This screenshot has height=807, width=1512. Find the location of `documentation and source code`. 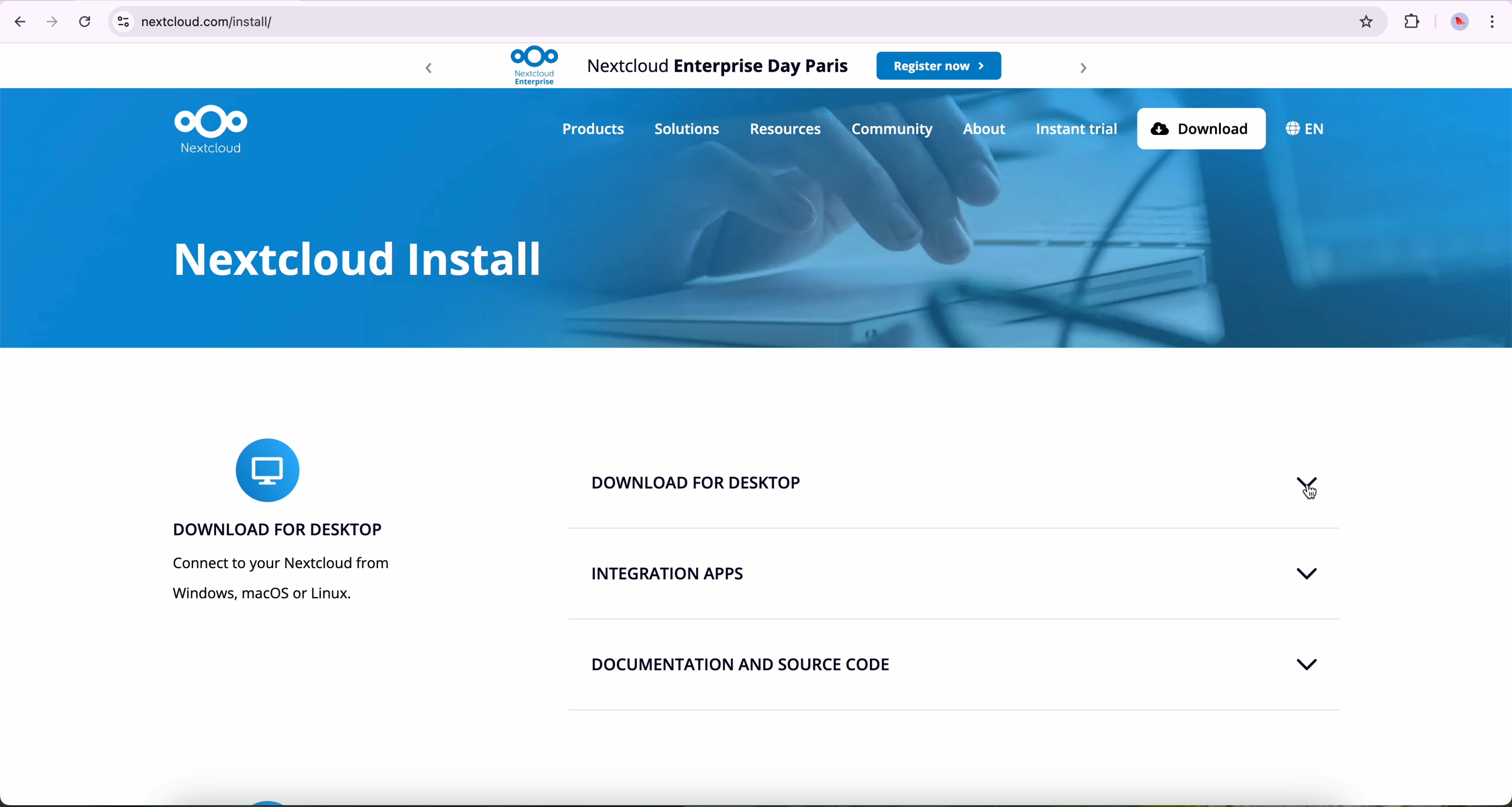

documentation and source code is located at coordinates (950, 664).